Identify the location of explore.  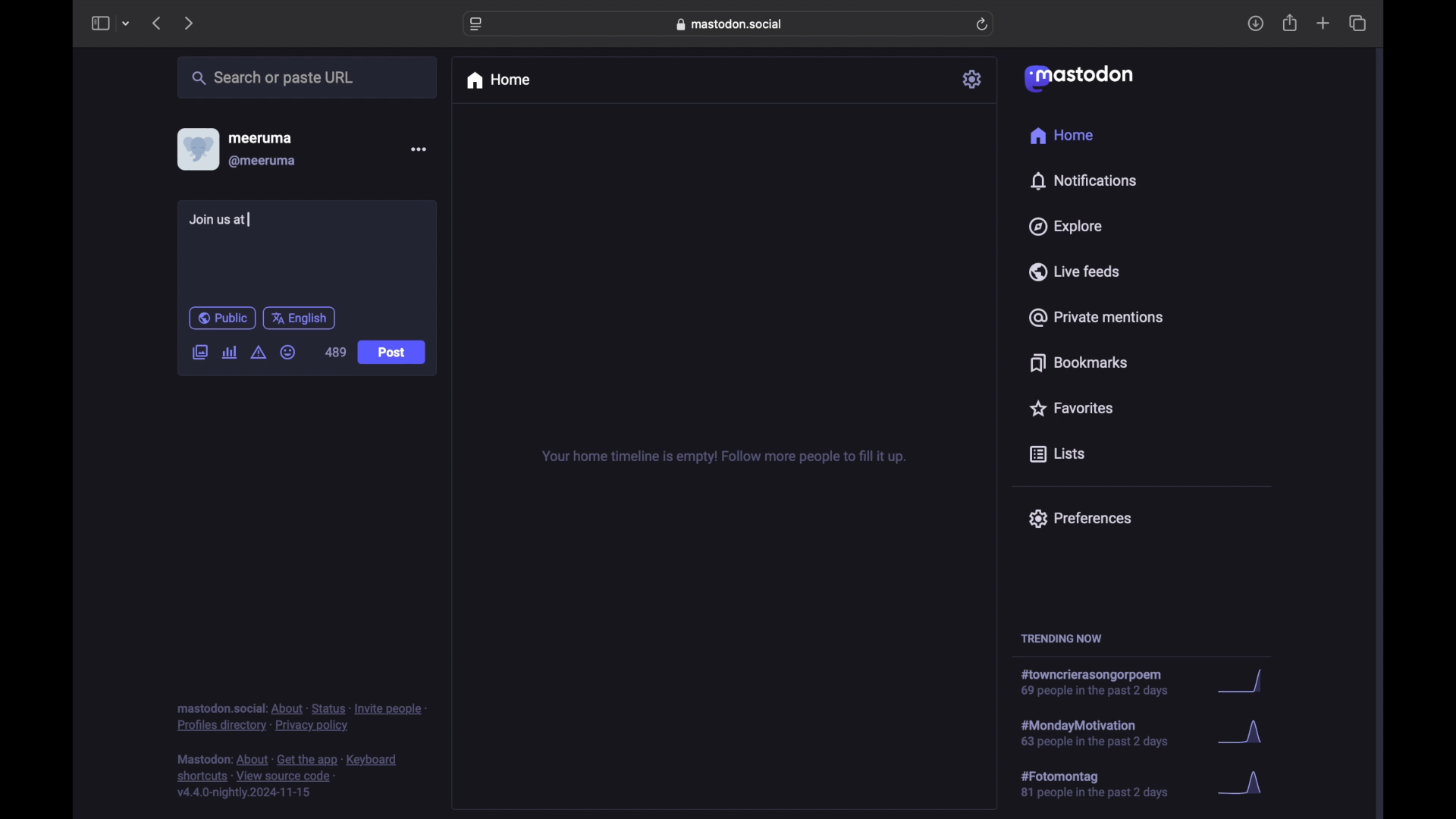
(1064, 227).